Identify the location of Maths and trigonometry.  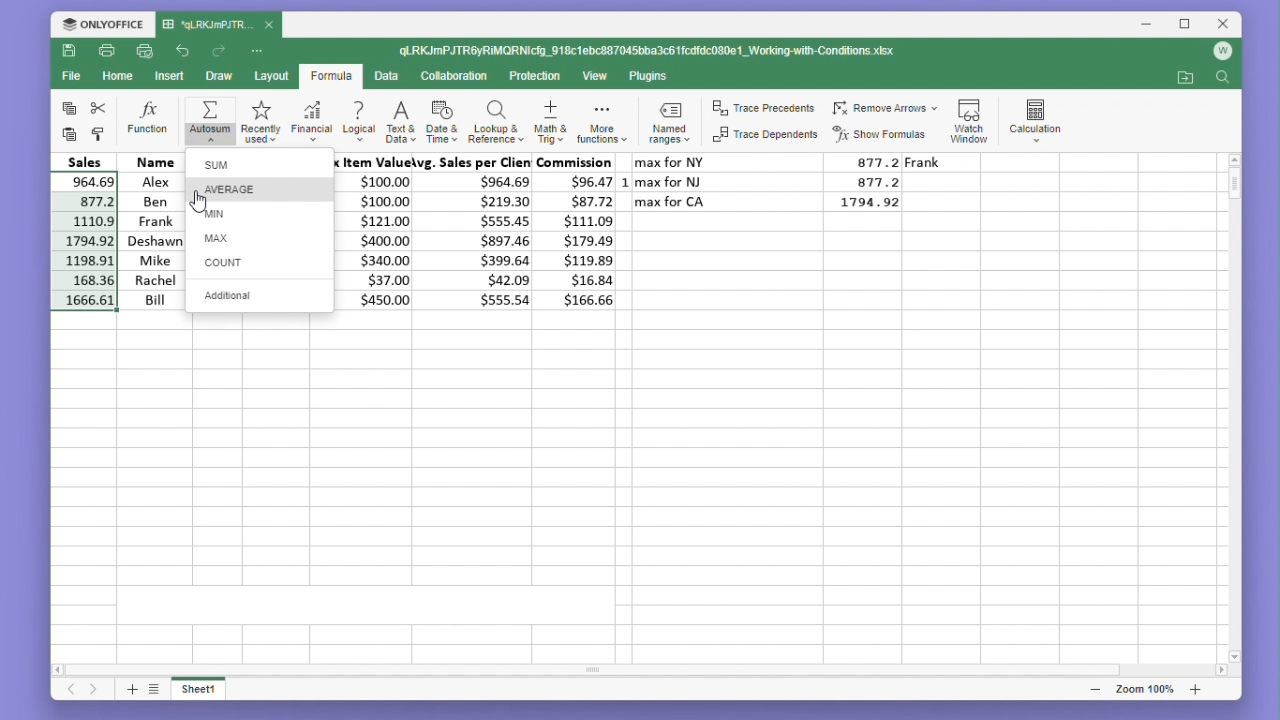
(551, 119).